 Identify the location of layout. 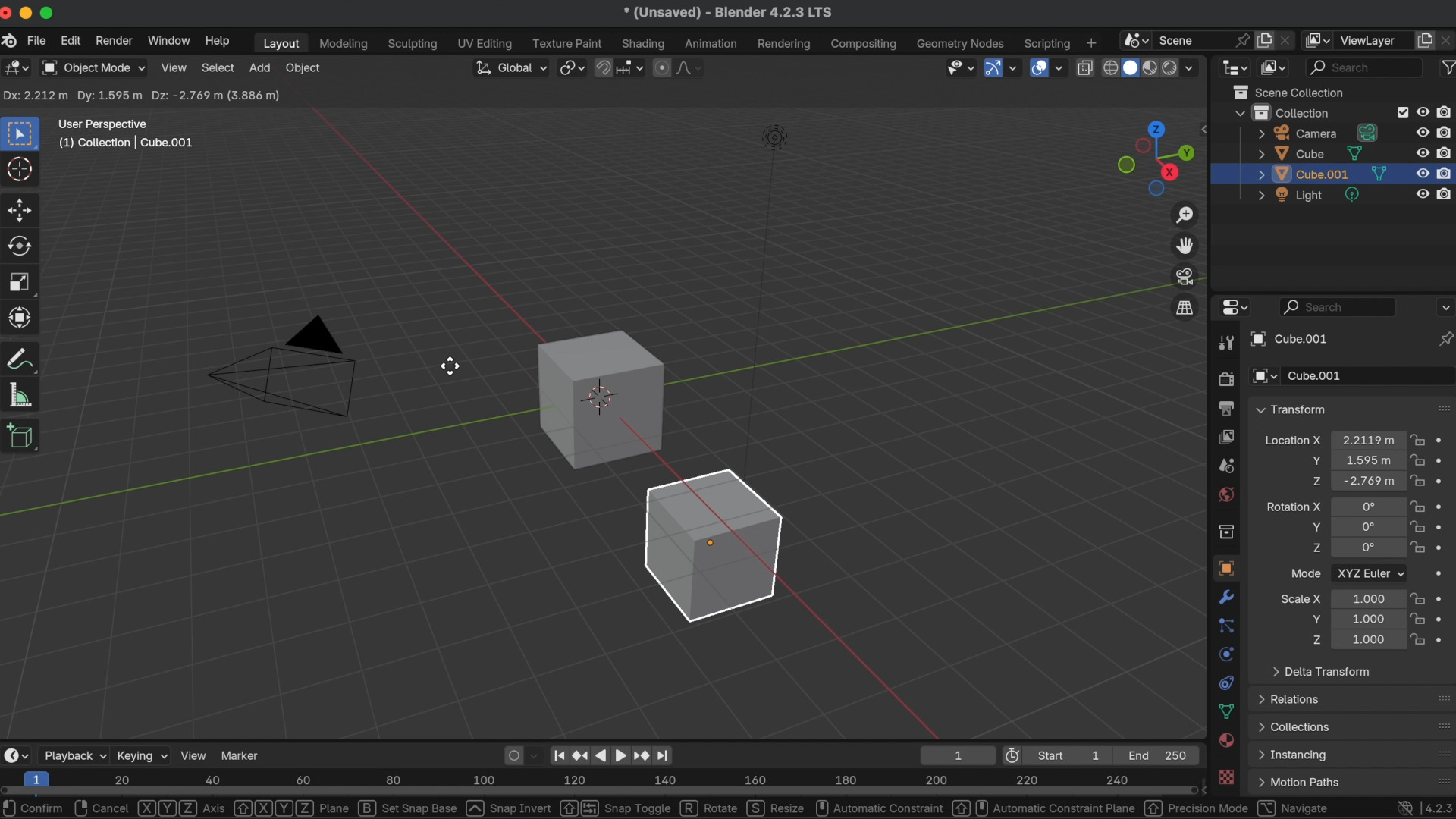
(278, 43).